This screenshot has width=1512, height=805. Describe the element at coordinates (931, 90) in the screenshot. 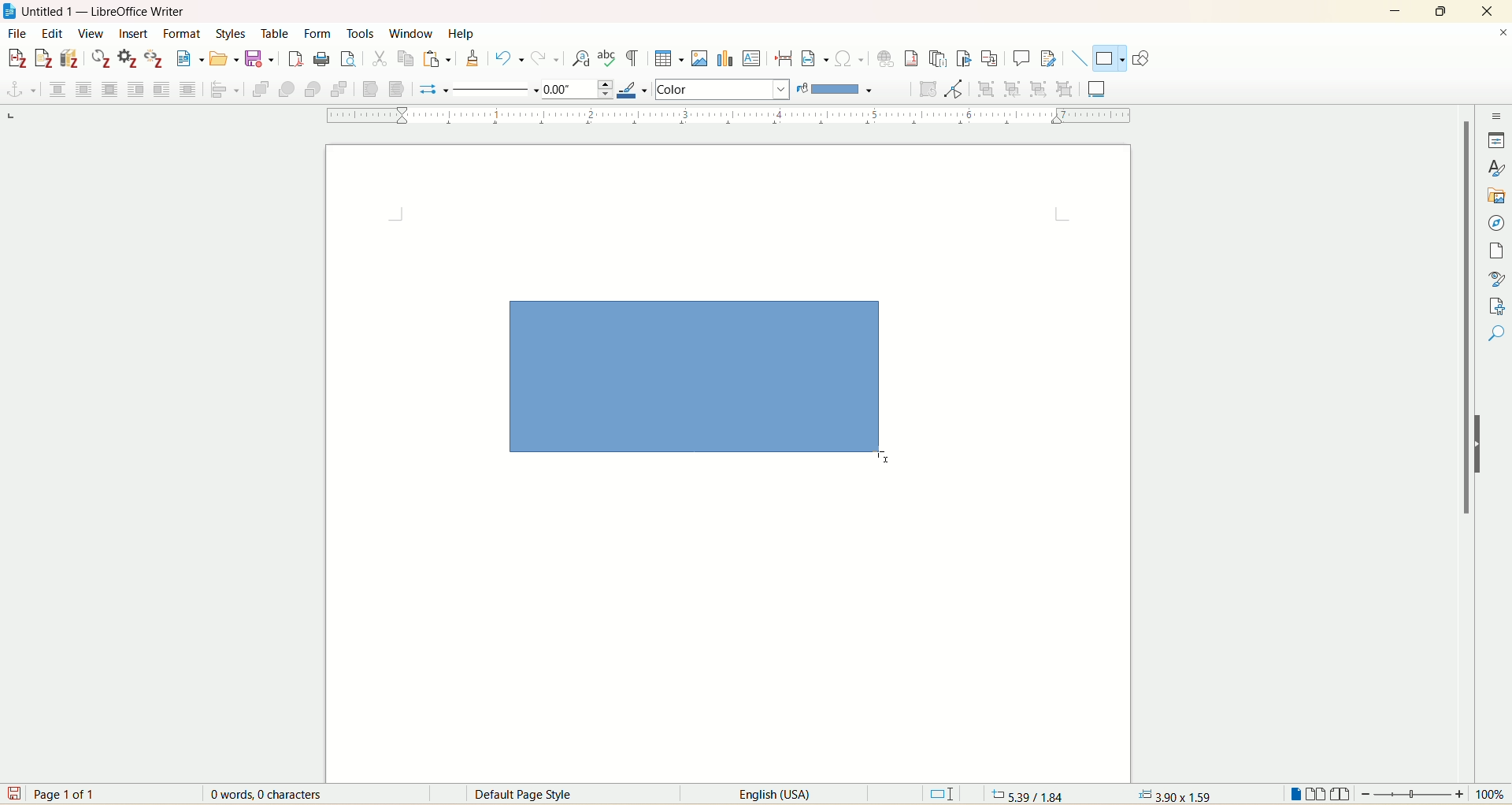

I see `rotate` at that location.